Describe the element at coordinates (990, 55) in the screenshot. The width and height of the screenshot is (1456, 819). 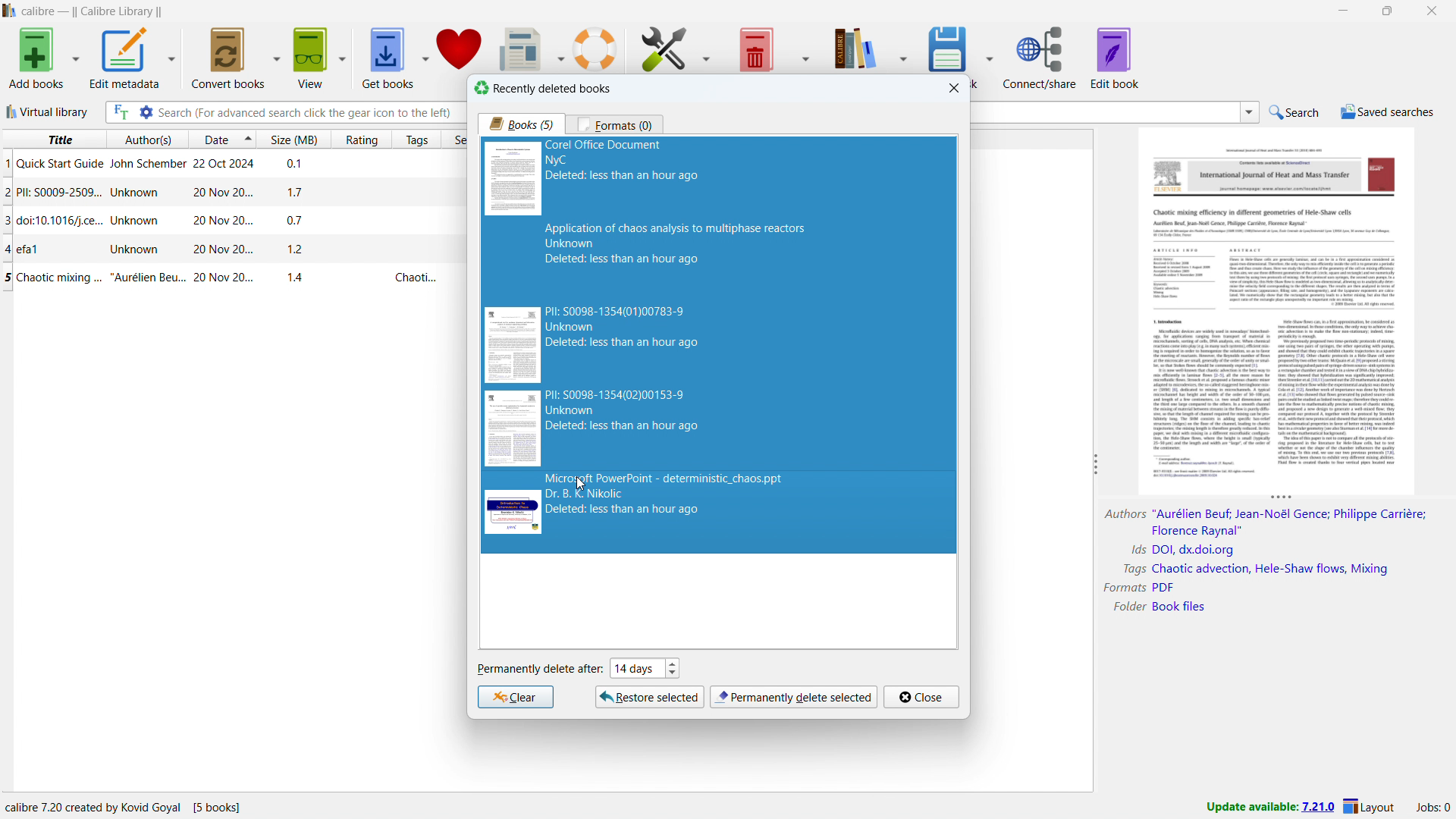
I see `save to disk options` at that location.